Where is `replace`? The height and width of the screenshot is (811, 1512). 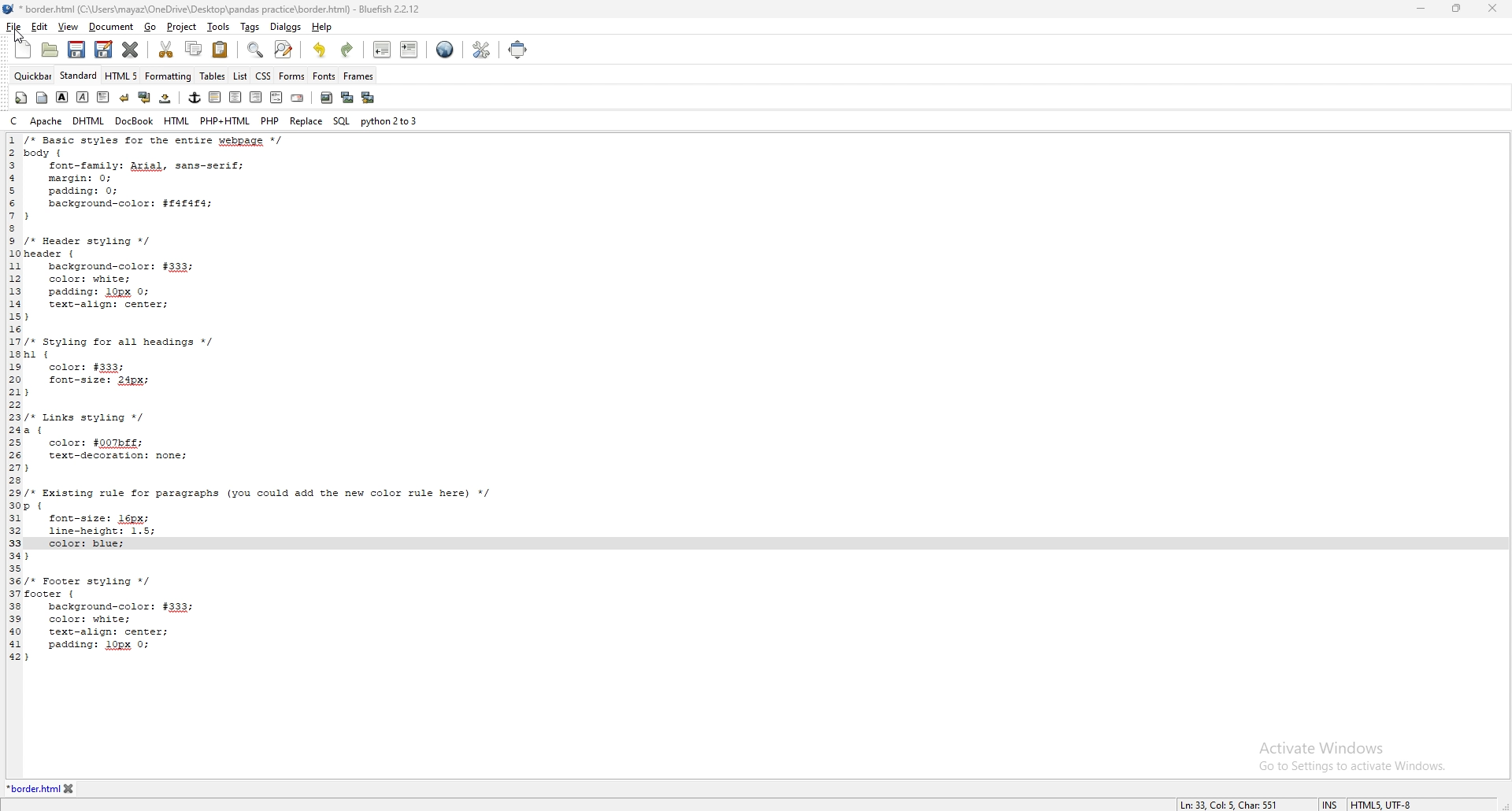
replace is located at coordinates (307, 121).